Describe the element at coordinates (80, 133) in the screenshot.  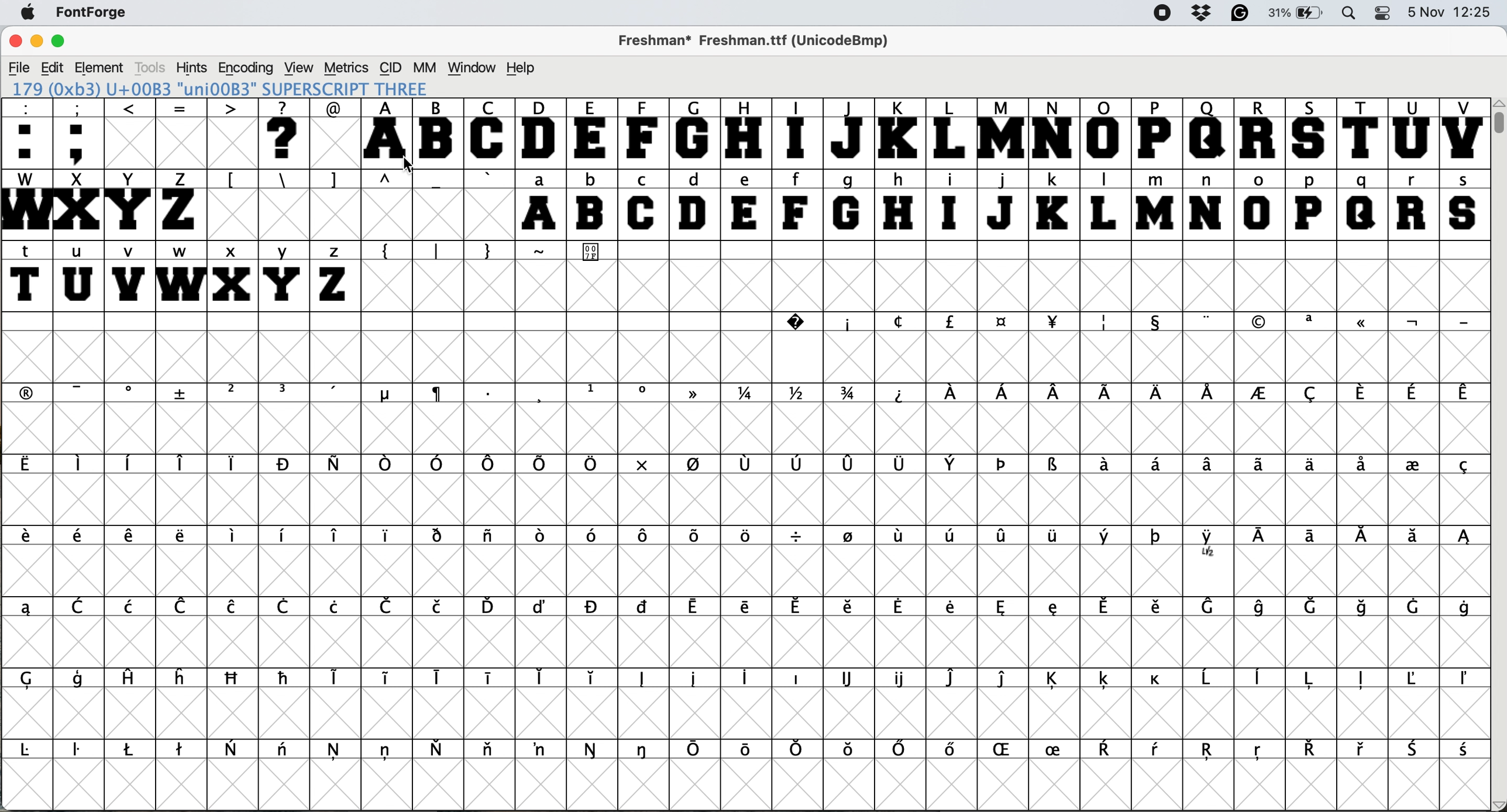
I see `;` at that location.